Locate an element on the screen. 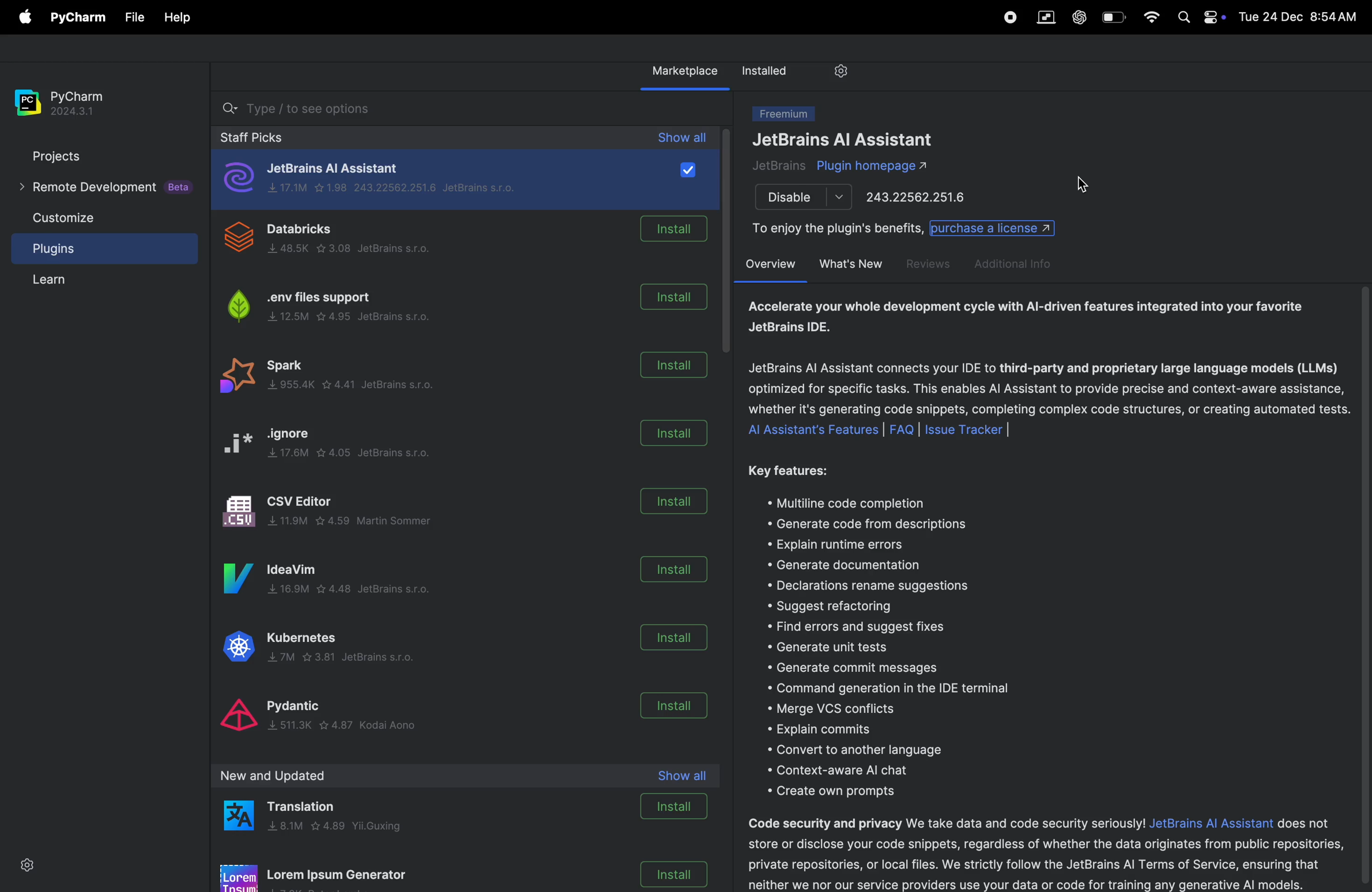 The image size is (1372, 892). wifi is located at coordinates (1148, 17).